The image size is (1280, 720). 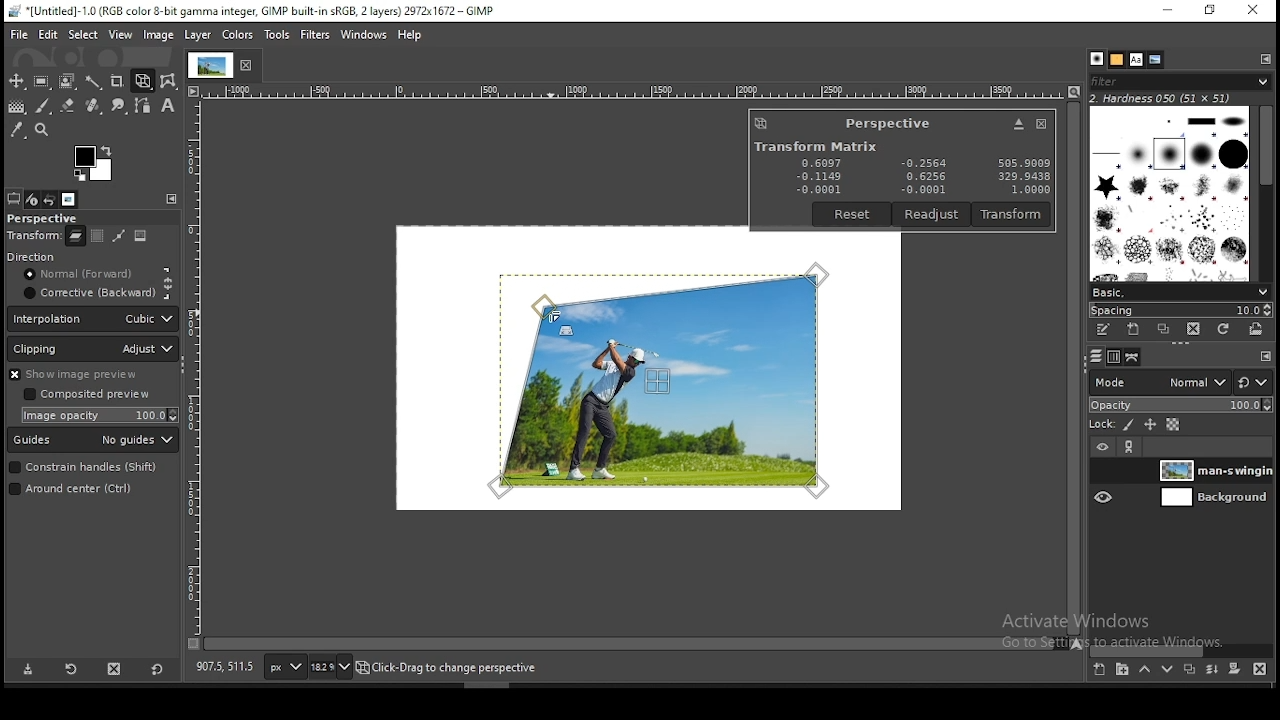 I want to click on minimize, so click(x=1167, y=10).